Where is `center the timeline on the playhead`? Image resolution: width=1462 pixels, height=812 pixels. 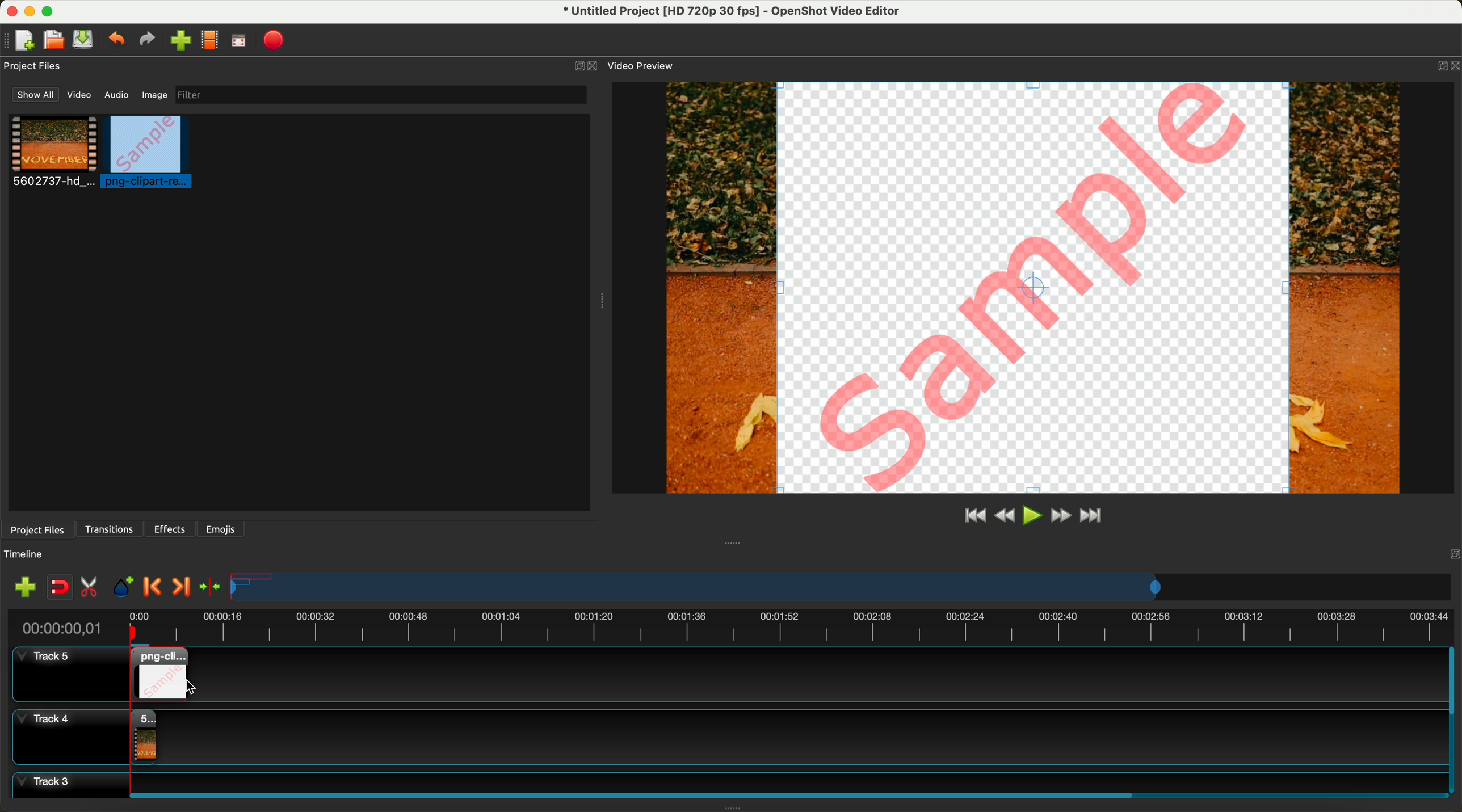 center the timeline on the playhead is located at coordinates (209, 586).